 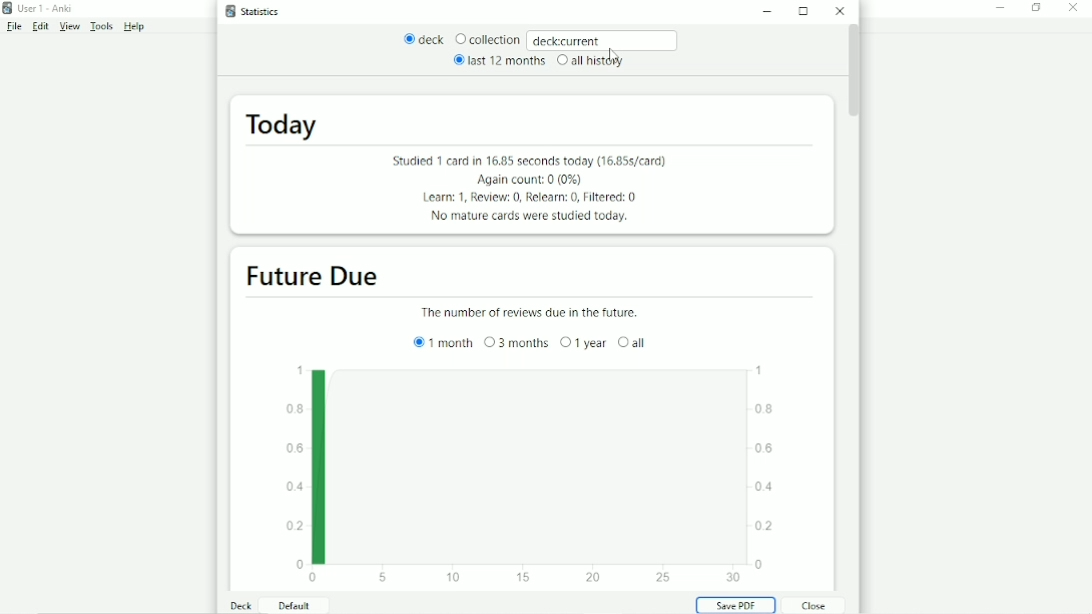 What do you see at coordinates (524, 311) in the screenshot?
I see `The number of reviews due in the future.` at bounding box center [524, 311].